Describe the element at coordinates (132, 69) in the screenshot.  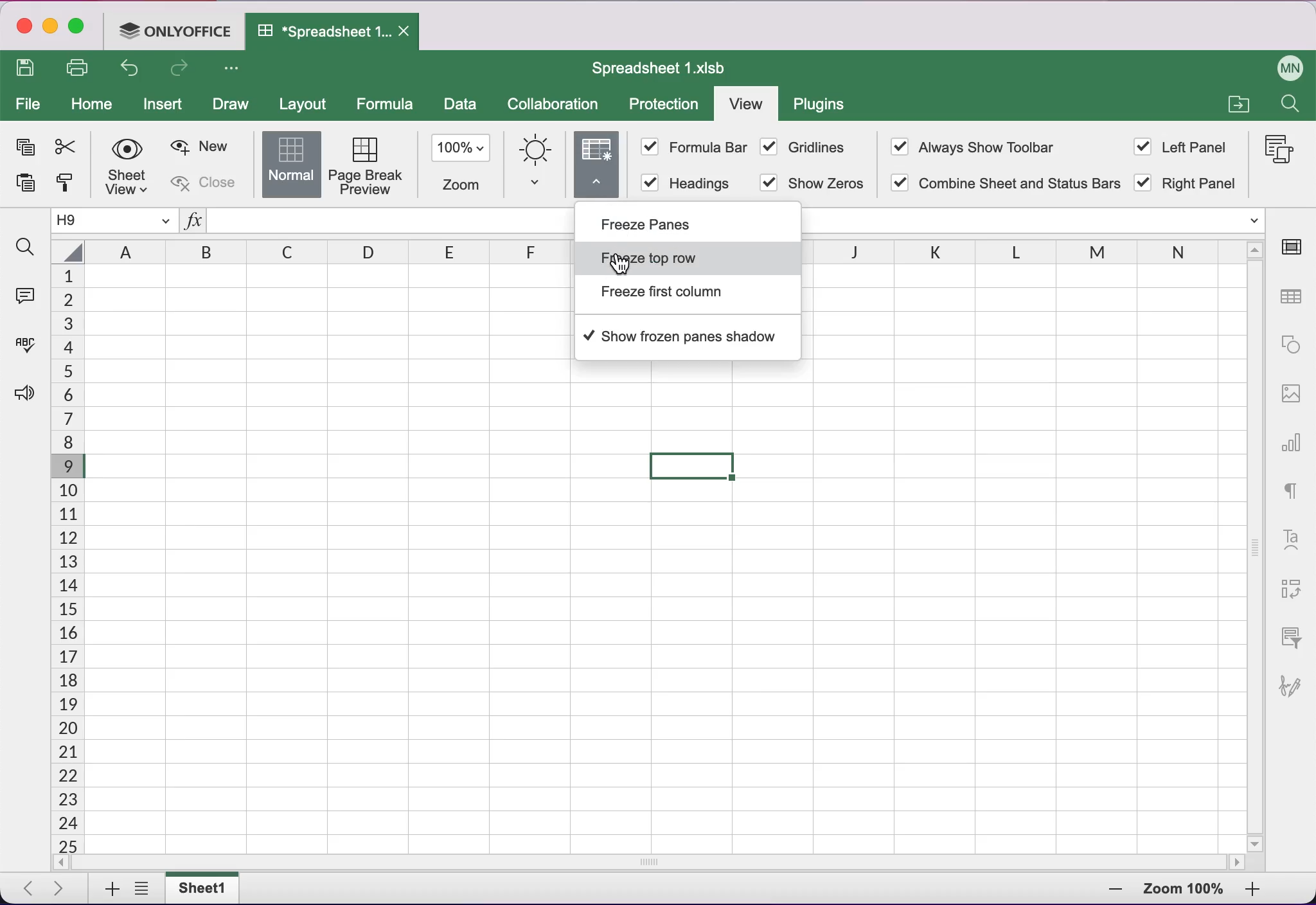
I see `undo` at that location.